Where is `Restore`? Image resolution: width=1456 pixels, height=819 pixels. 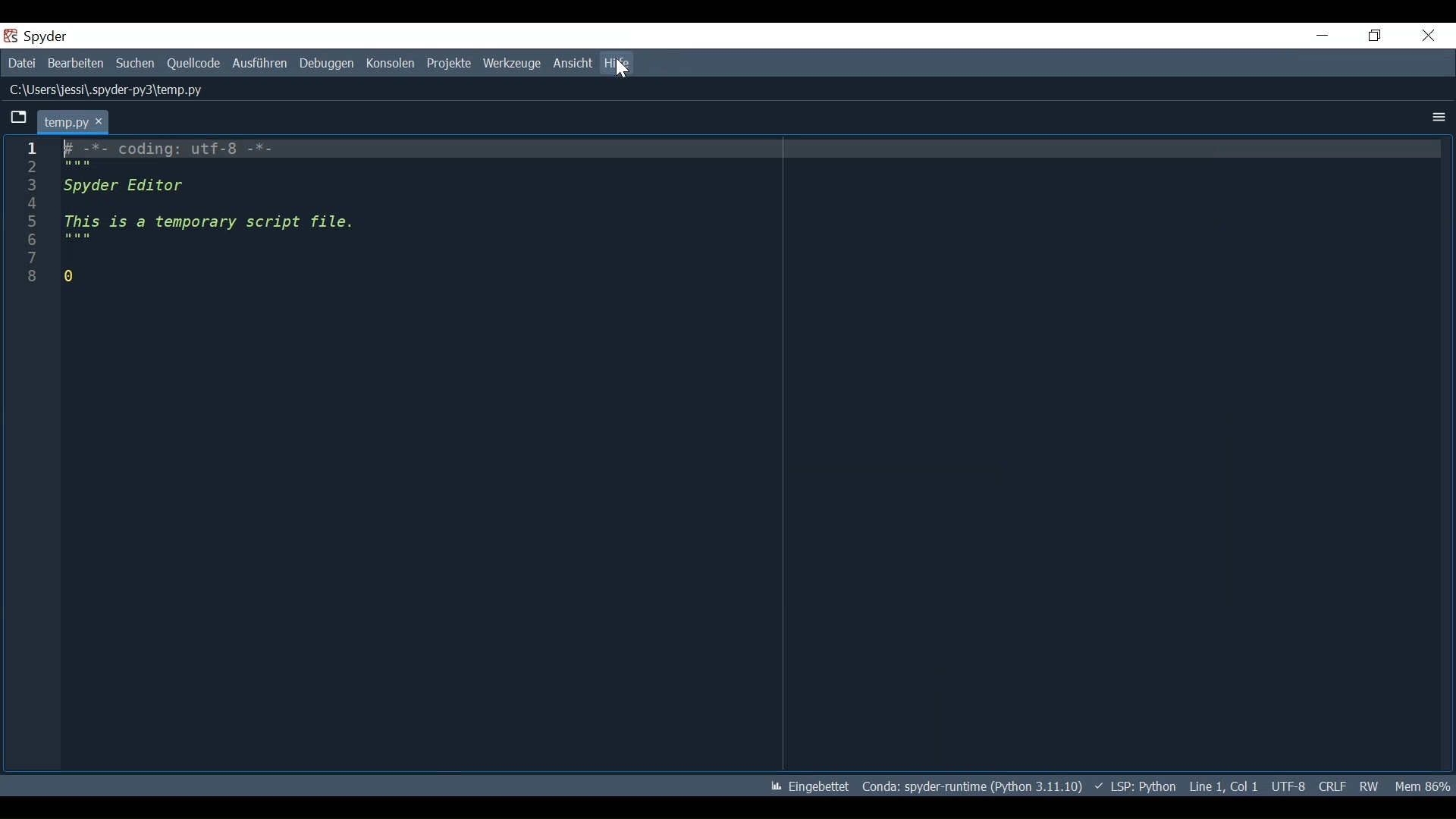 Restore is located at coordinates (1376, 36).